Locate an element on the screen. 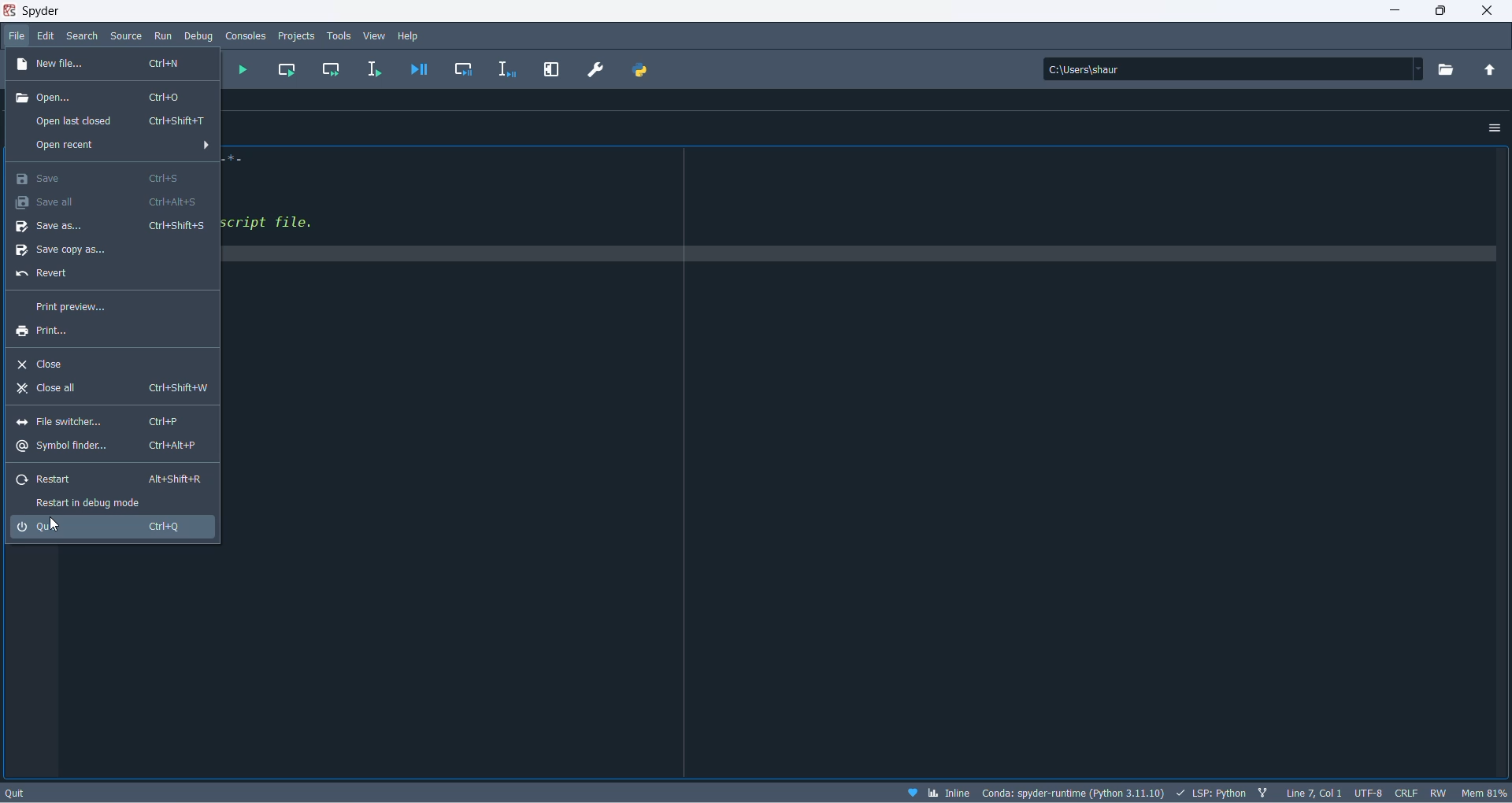  minimize is located at coordinates (1395, 14).